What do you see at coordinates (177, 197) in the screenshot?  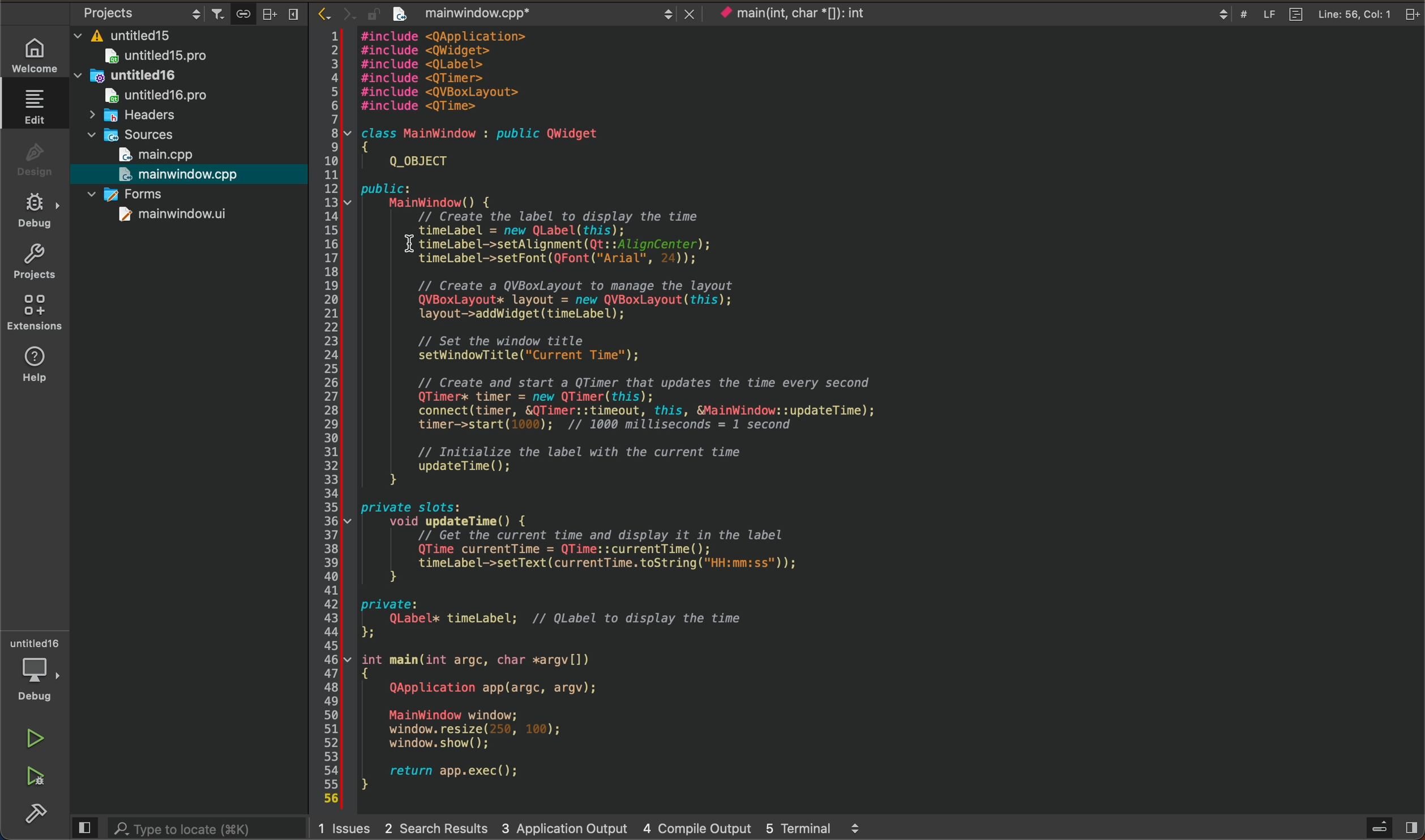 I see `forms` at bounding box center [177, 197].